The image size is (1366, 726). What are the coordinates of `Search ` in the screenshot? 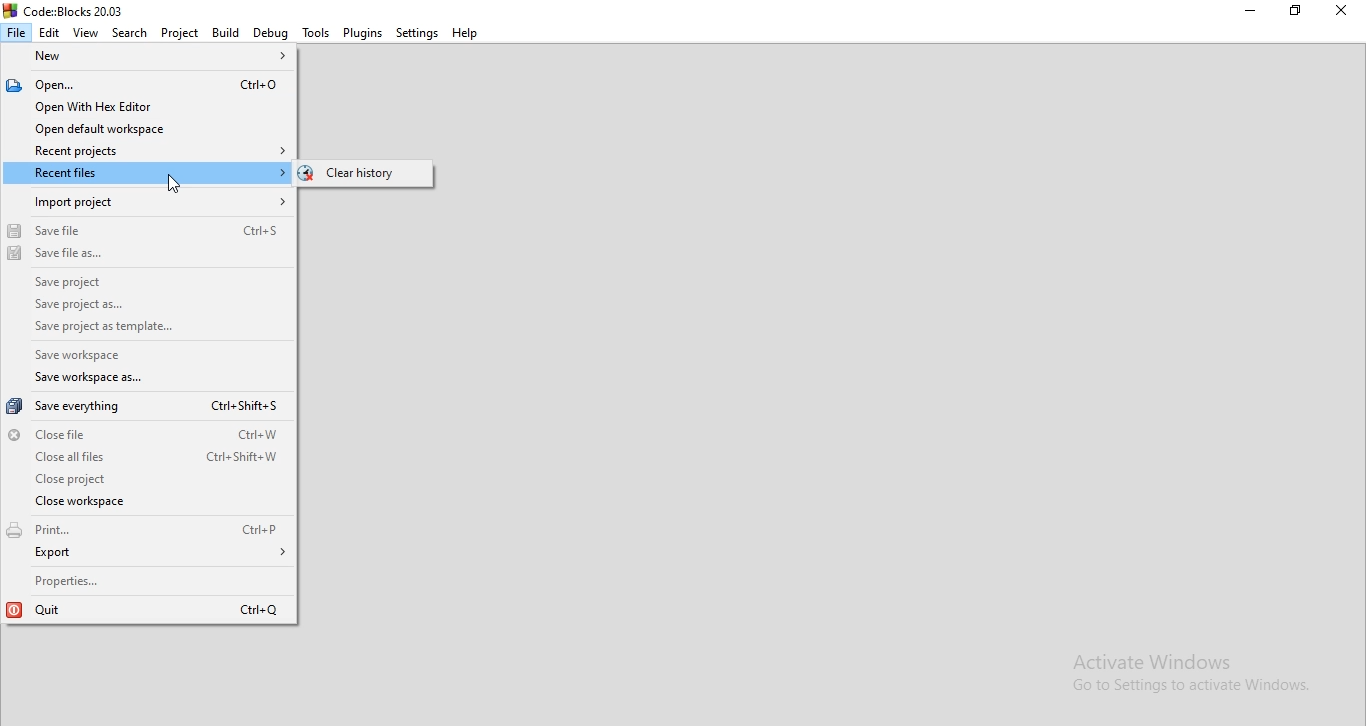 It's located at (127, 32).